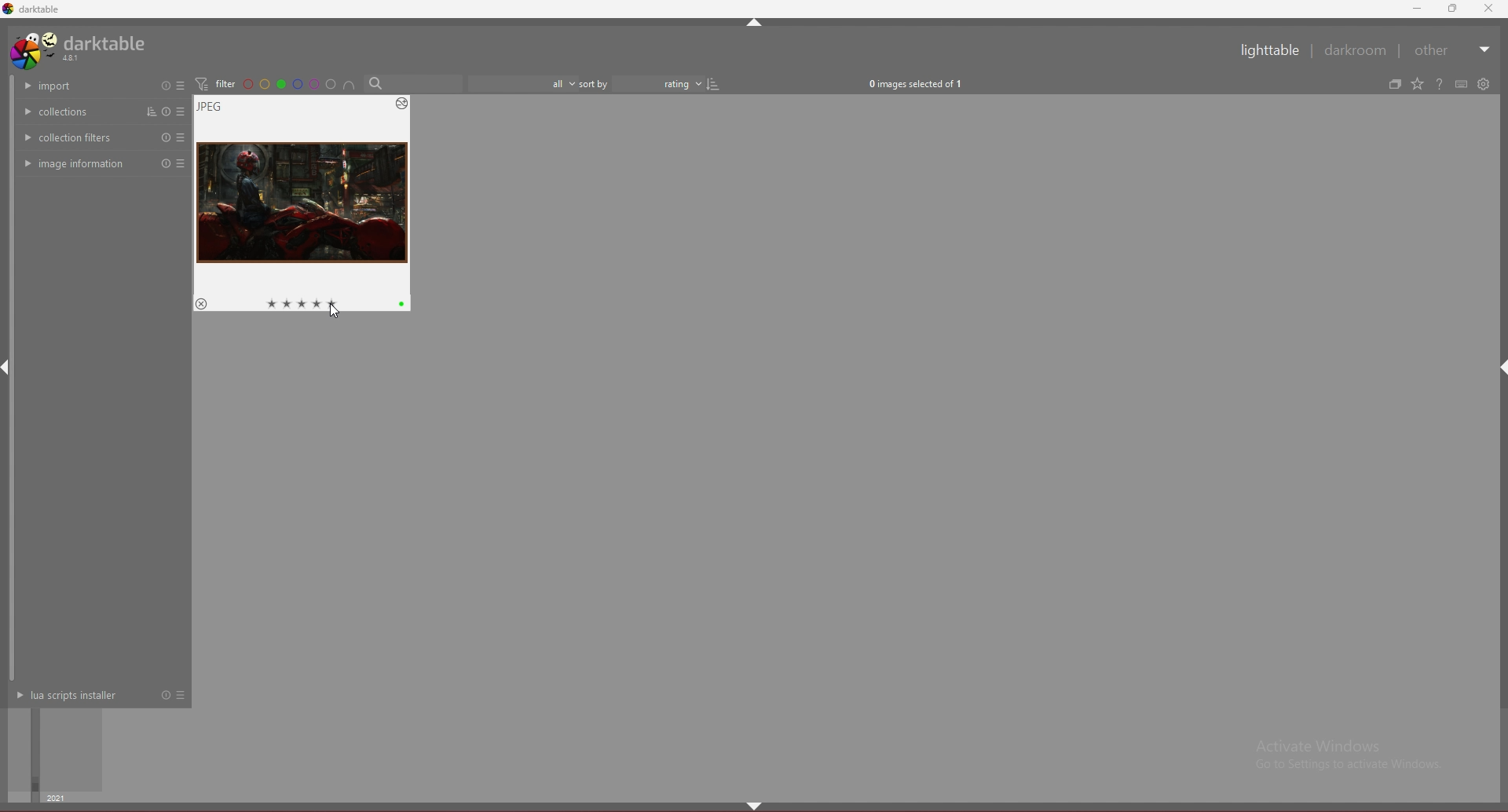 Image resolution: width=1508 pixels, height=812 pixels. Describe the element at coordinates (167, 696) in the screenshot. I see `reset` at that location.